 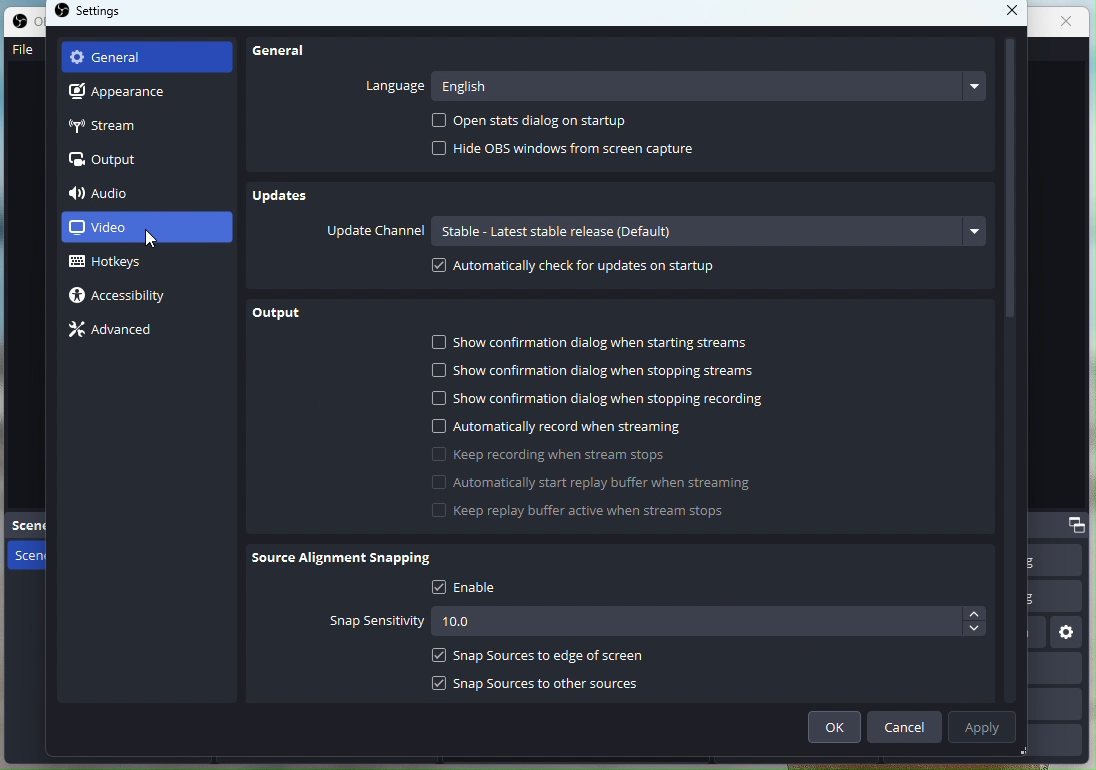 What do you see at coordinates (63, 13) in the screenshot?
I see `OBS studio logo` at bounding box center [63, 13].